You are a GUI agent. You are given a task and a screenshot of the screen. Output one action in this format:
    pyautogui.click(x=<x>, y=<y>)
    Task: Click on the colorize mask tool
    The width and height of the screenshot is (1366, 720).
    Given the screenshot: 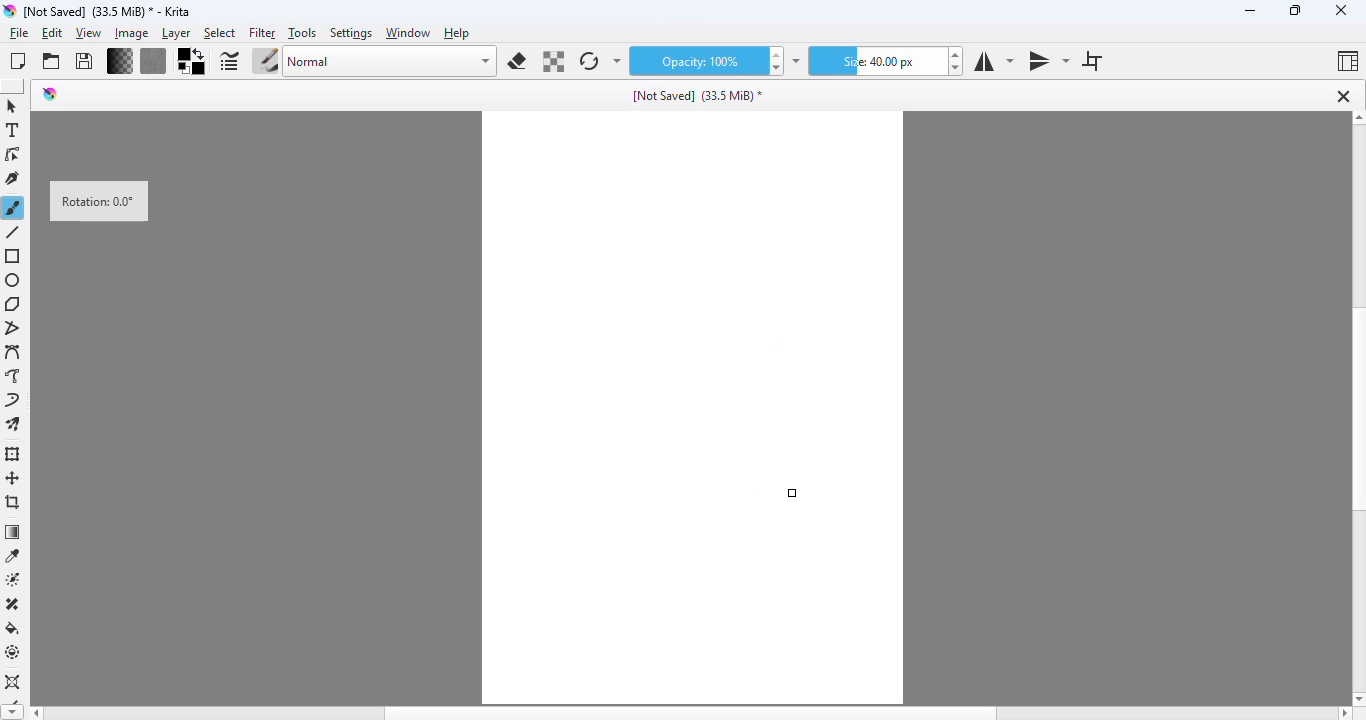 What is the action you would take?
    pyautogui.click(x=15, y=580)
    